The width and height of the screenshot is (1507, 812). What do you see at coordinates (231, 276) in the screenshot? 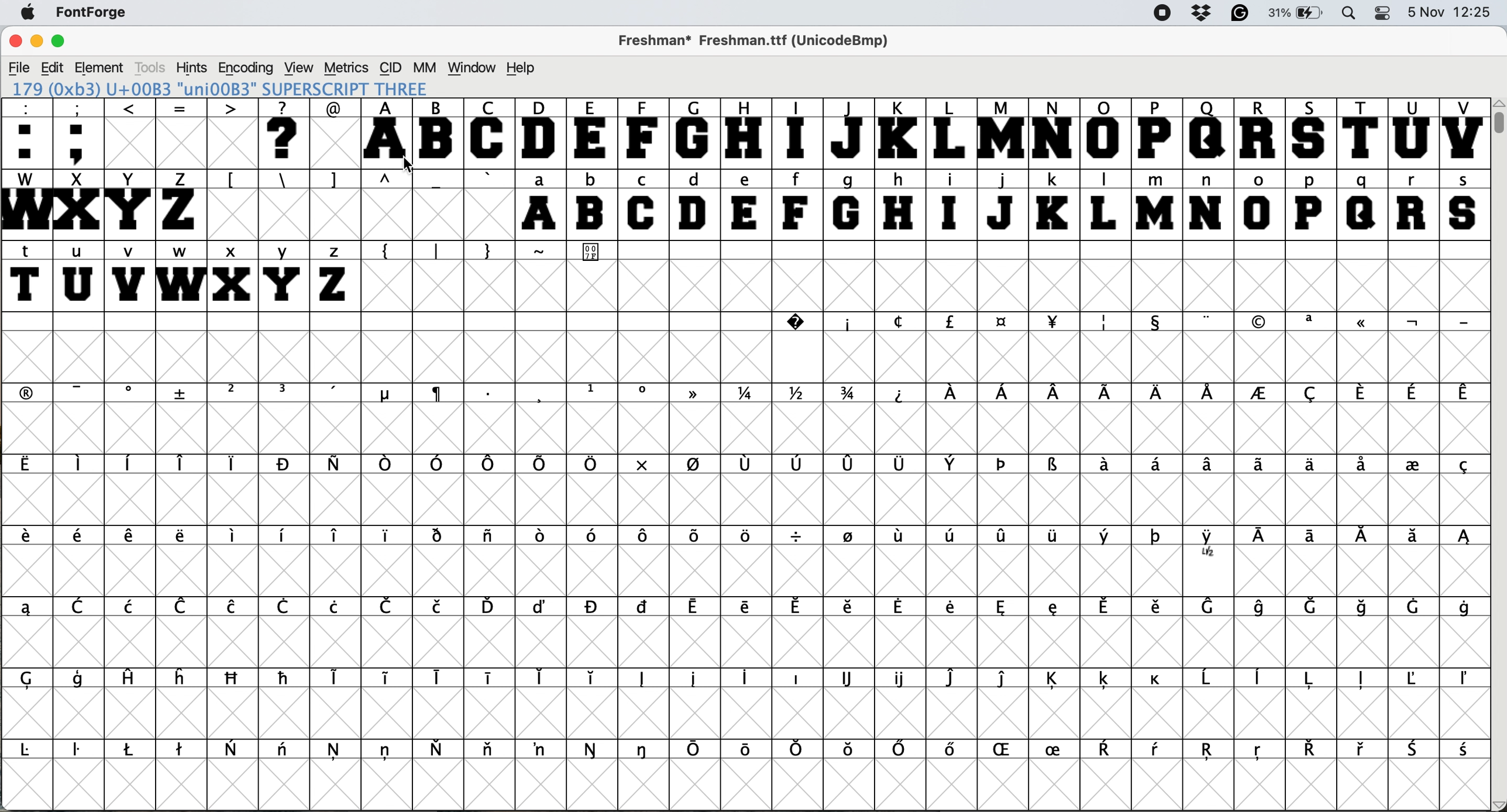
I see `x` at bounding box center [231, 276].